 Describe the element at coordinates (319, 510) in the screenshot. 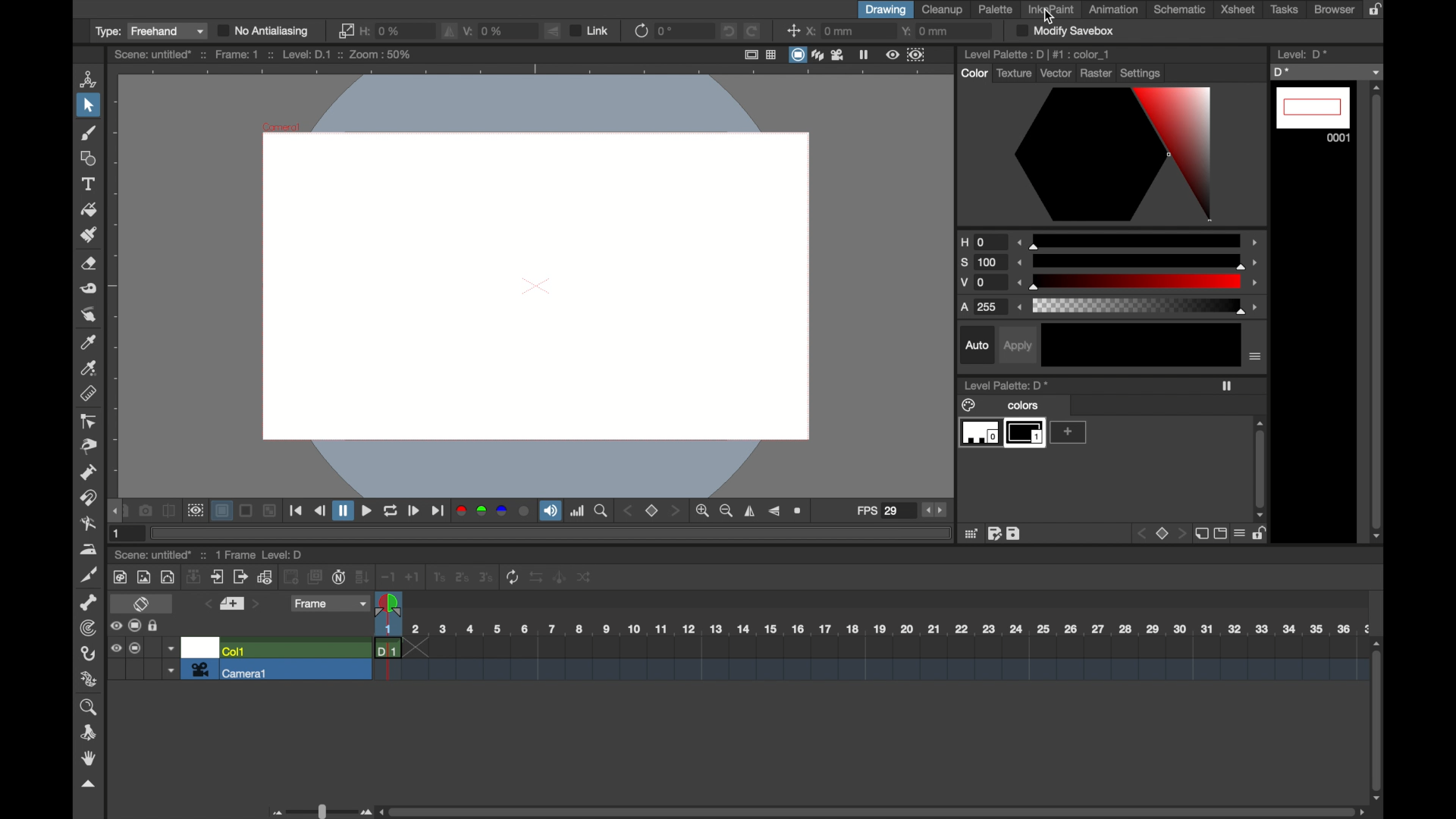

I see `previous frame` at that location.